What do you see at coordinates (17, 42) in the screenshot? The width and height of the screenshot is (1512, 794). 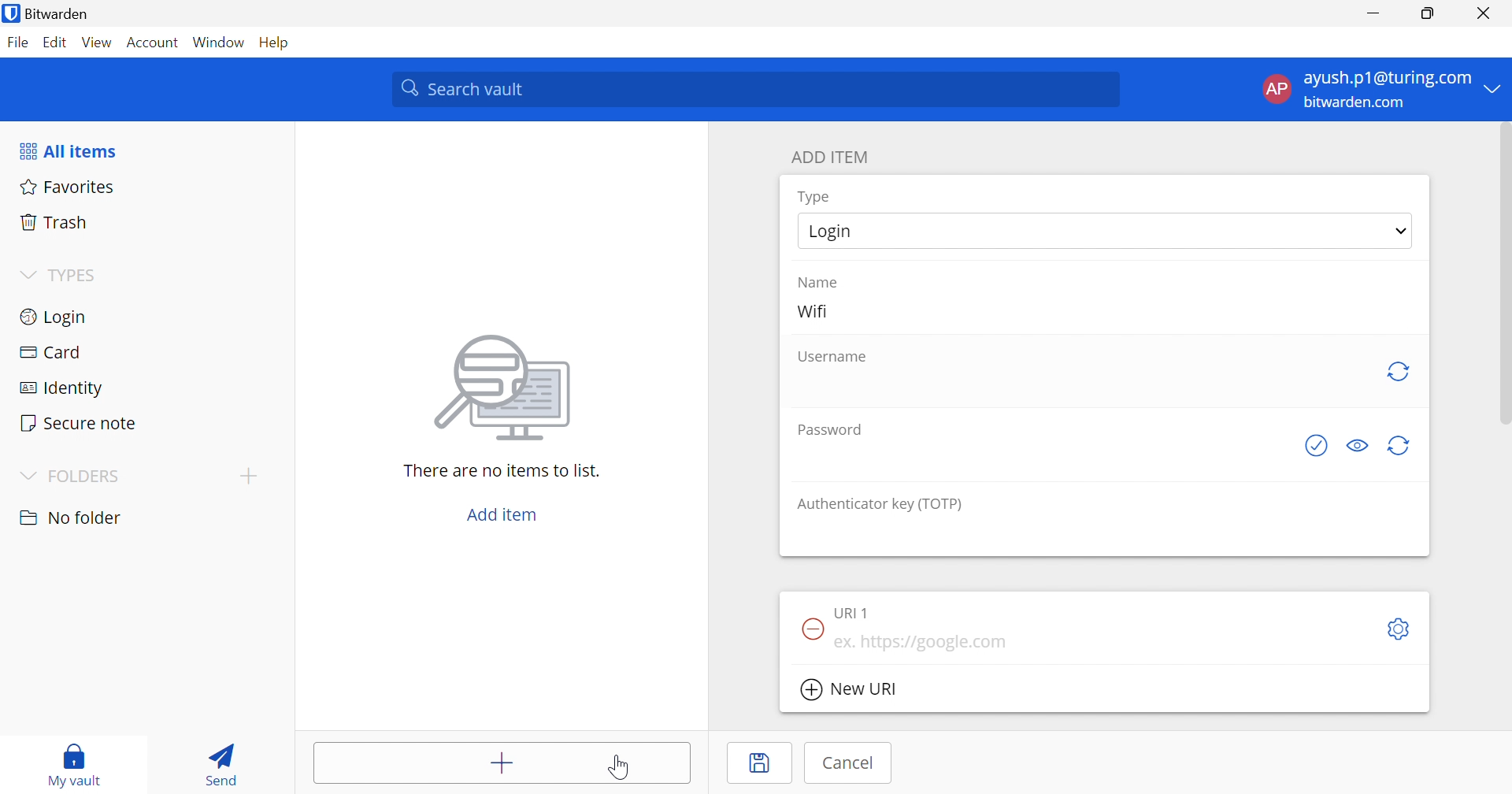 I see `File` at bounding box center [17, 42].